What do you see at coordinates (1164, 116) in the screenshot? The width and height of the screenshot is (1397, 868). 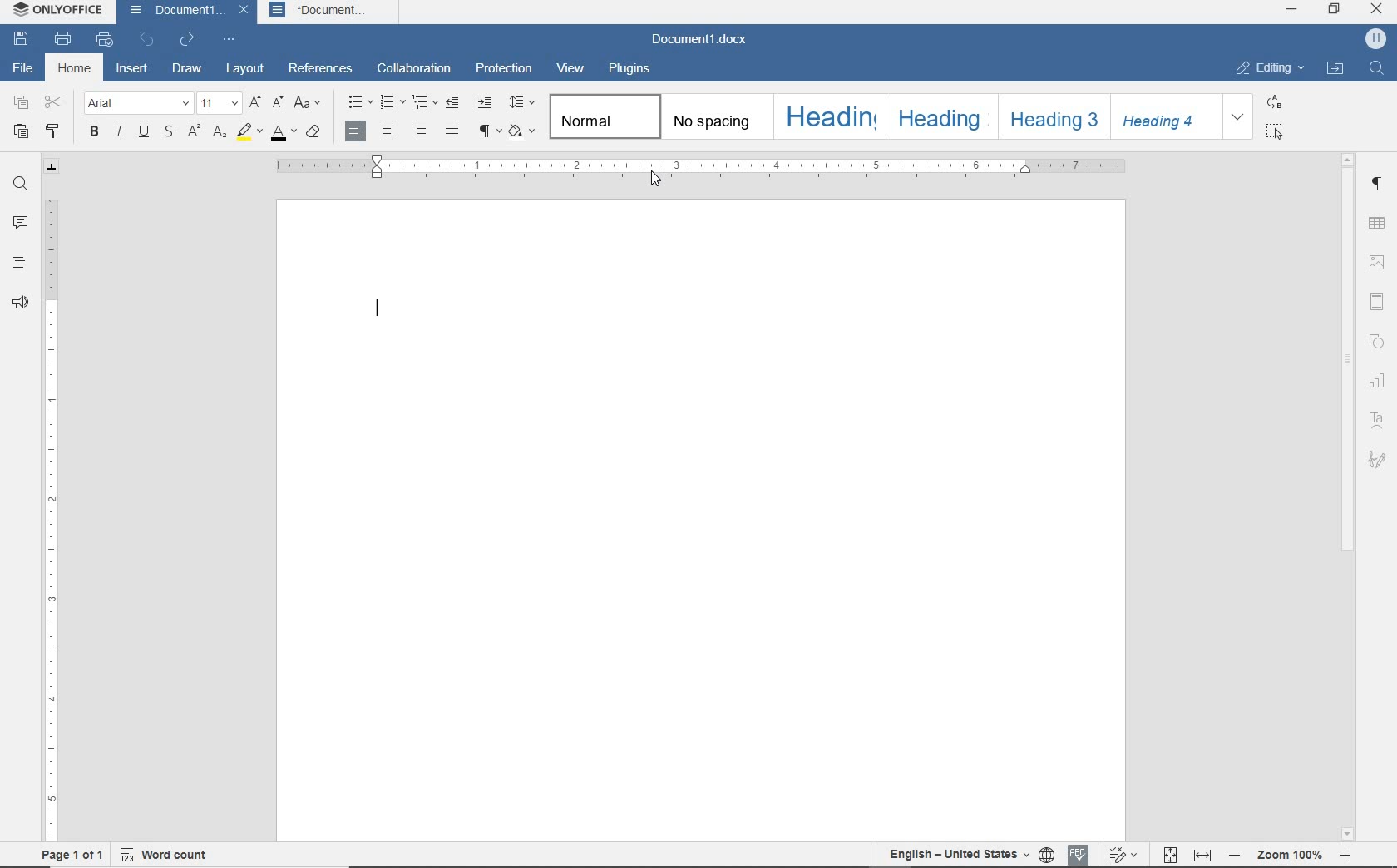 I see `HEADING 4` at bounding box center [1164, 116].